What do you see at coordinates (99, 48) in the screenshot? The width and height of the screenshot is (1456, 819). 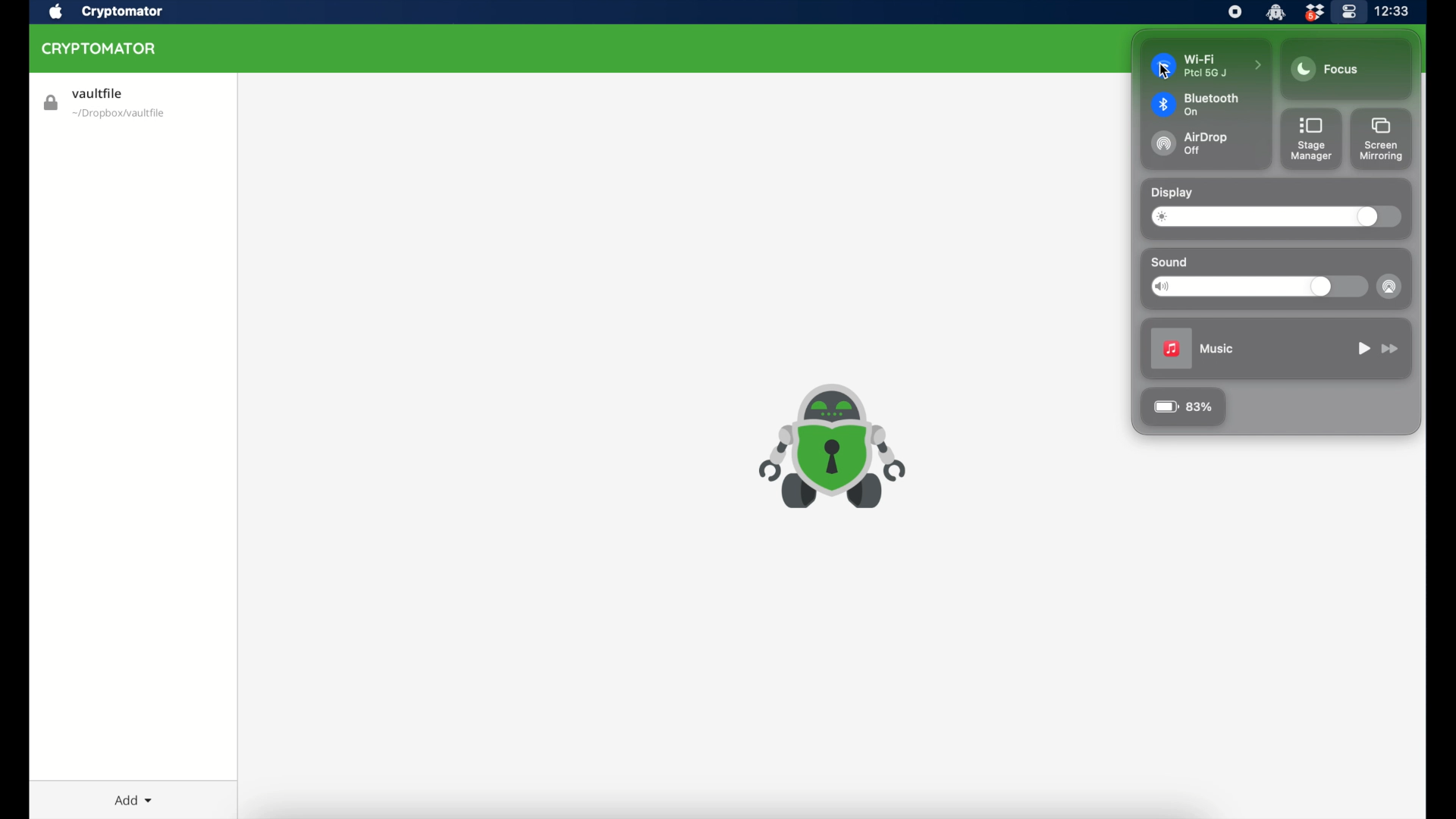 I see `cryptomator` at bounding box center [99, 48].